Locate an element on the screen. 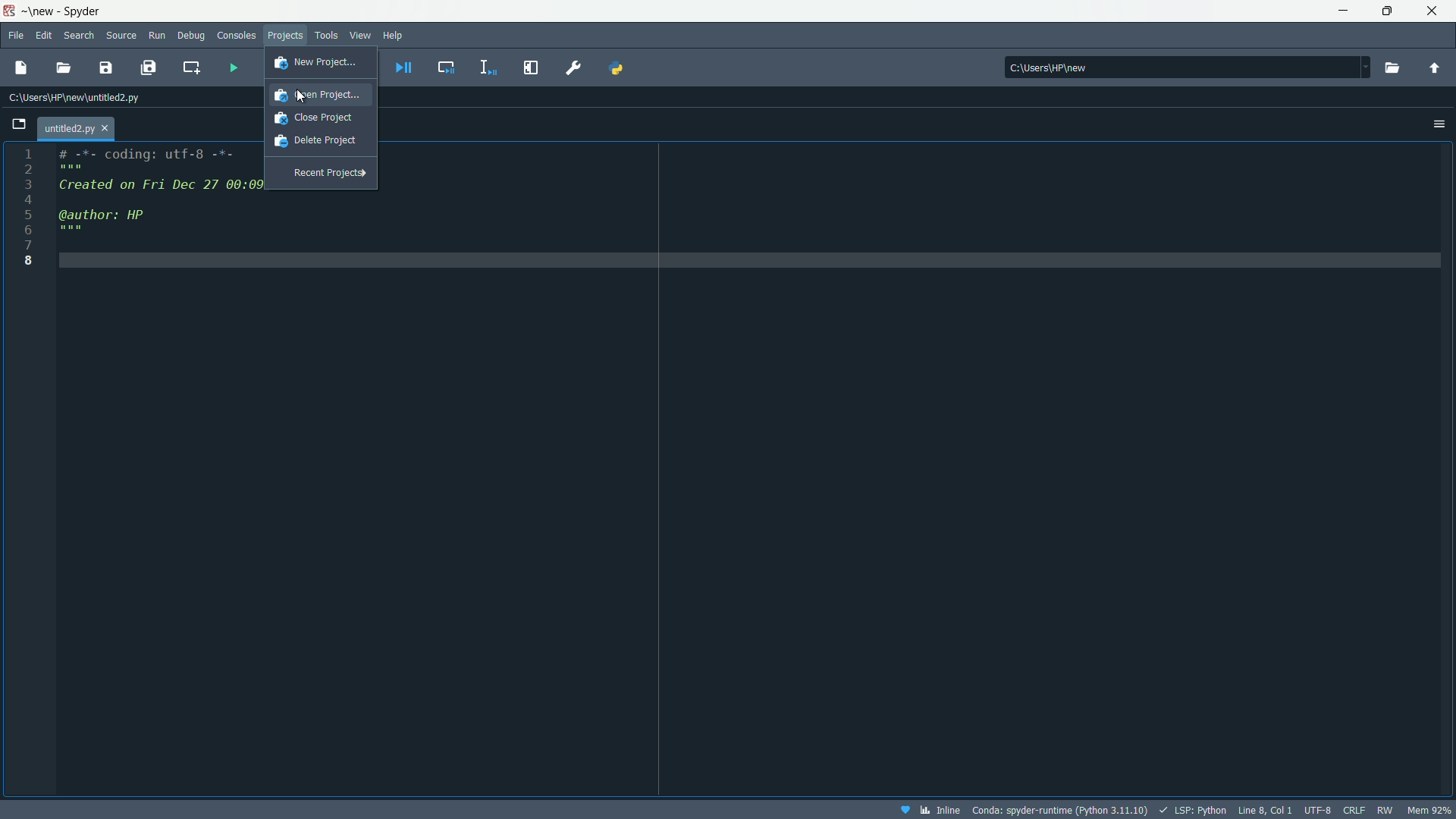 This screenshot has height=819, width=1456. close  is located at coordinates (1432, 10).